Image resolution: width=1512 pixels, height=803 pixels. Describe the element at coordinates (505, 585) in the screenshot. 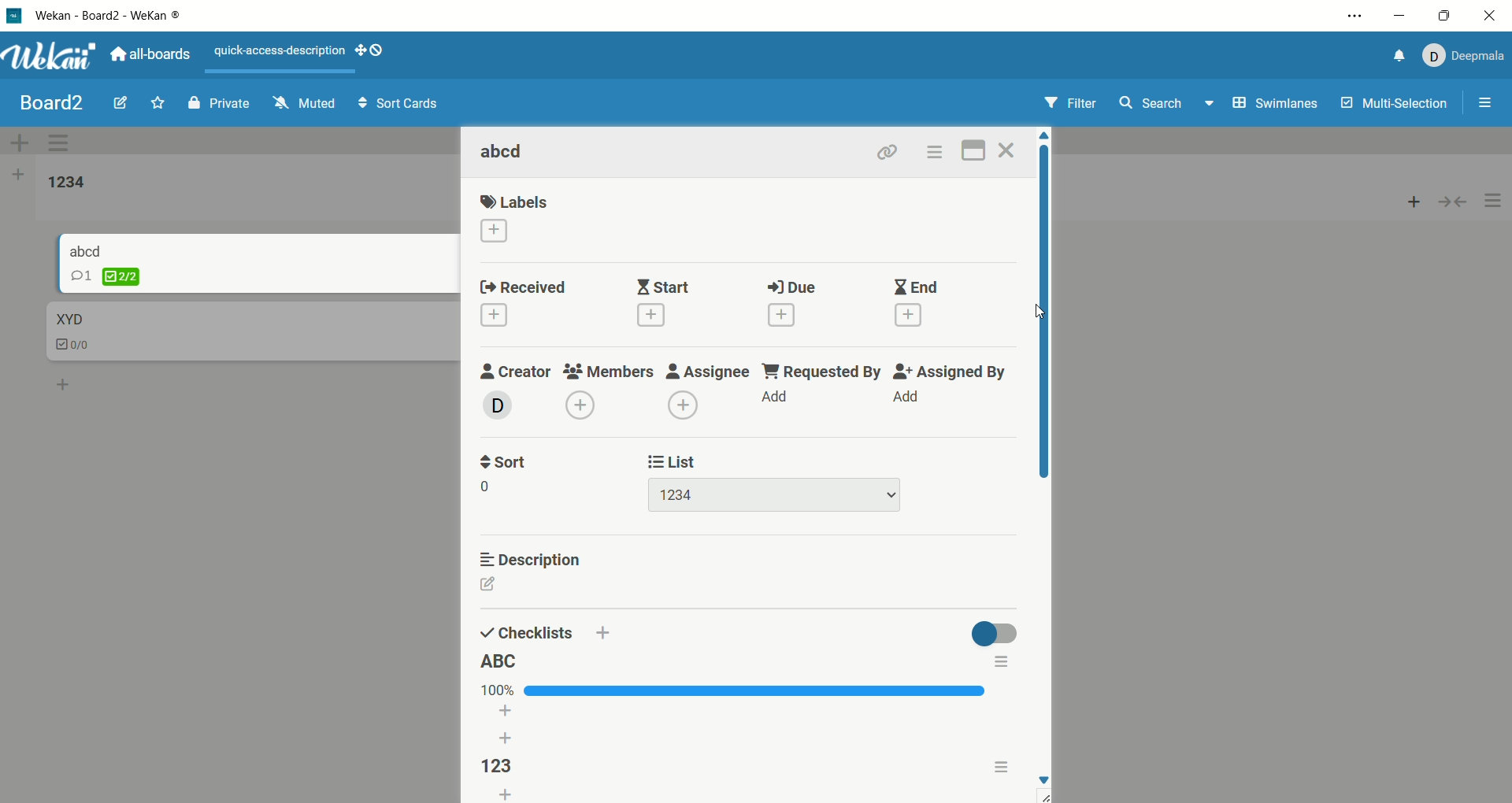

I see `edit` at that location.